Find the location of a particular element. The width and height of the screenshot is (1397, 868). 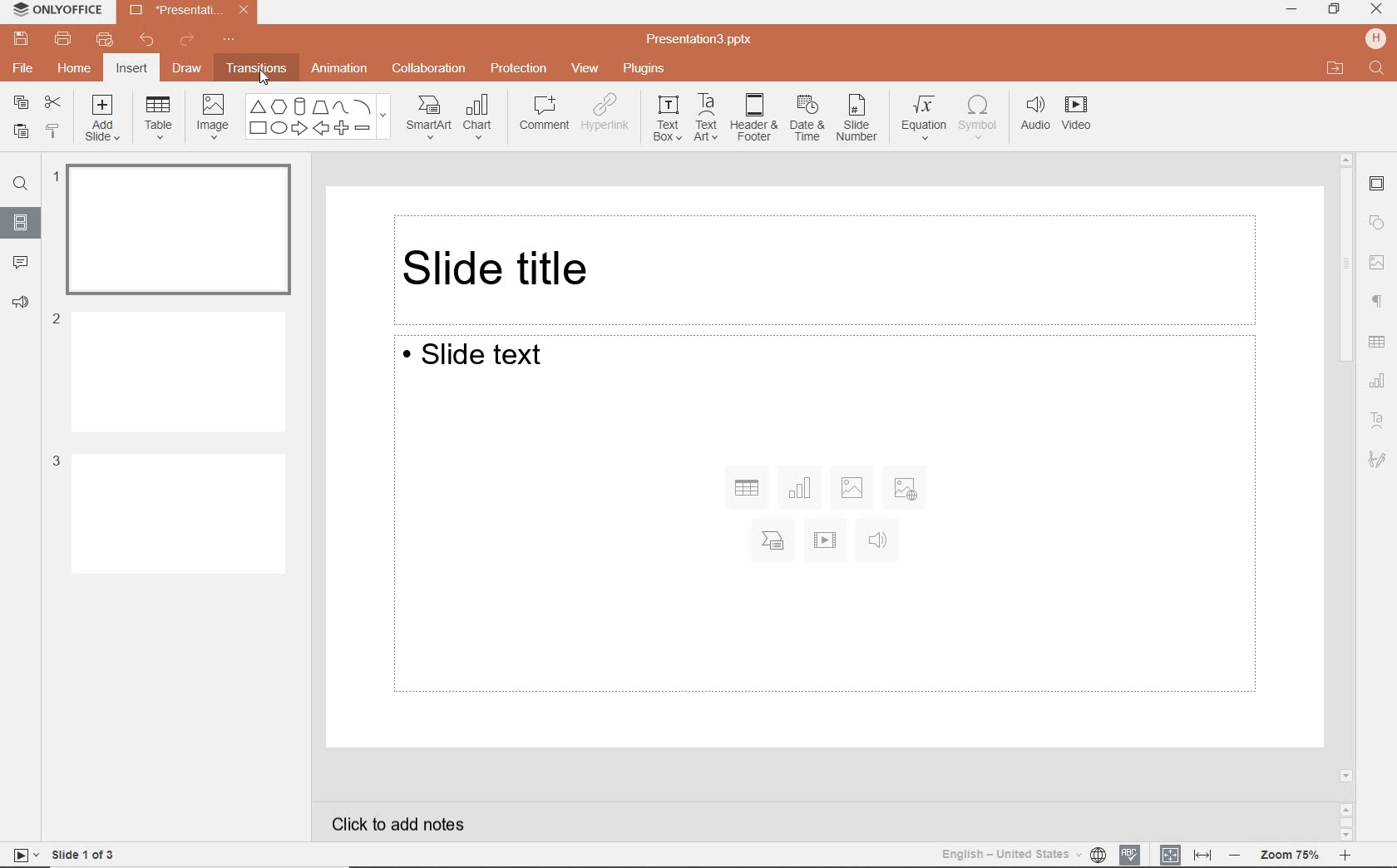

animation is located at coordinates (340, 68).